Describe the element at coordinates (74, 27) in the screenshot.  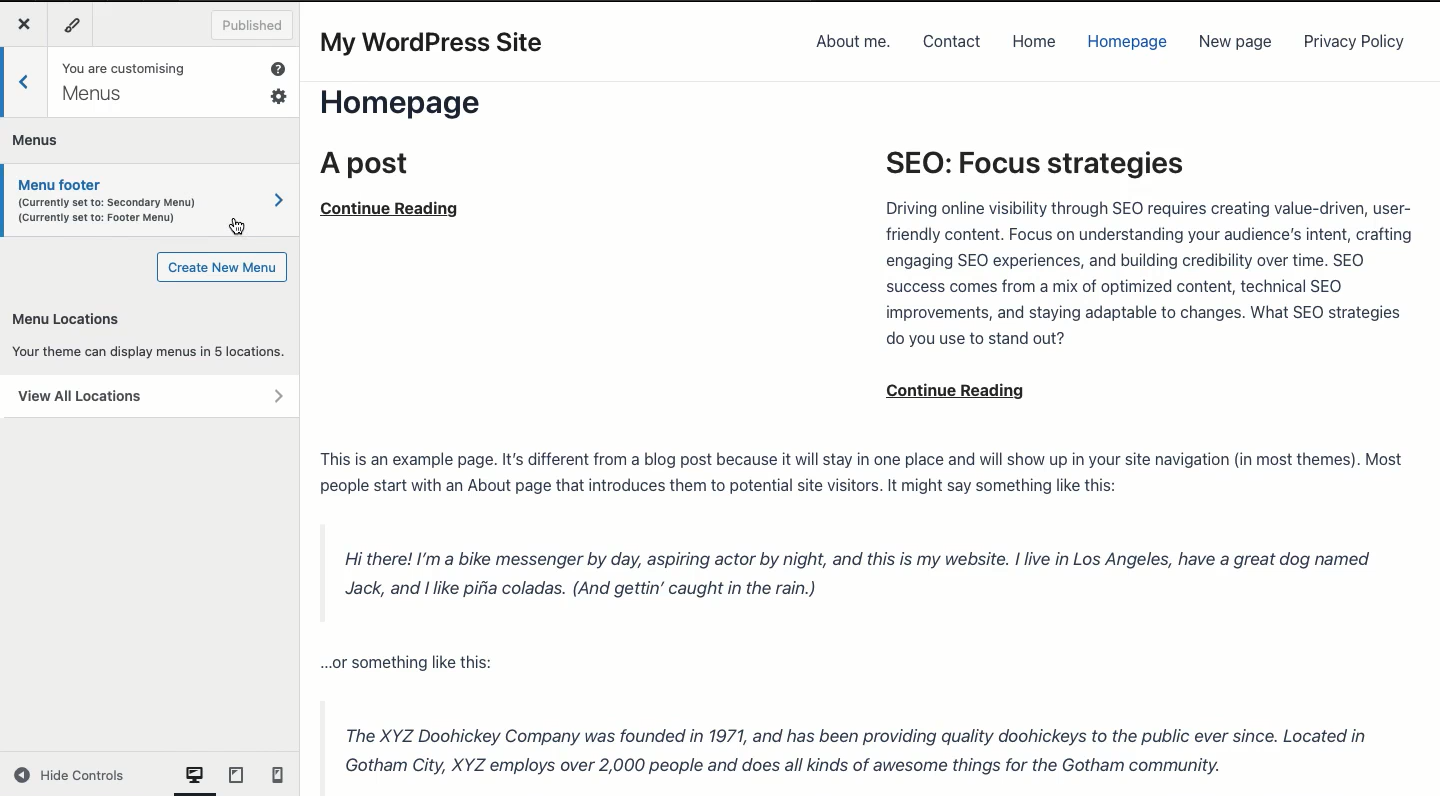
I see `Tools` at that location.